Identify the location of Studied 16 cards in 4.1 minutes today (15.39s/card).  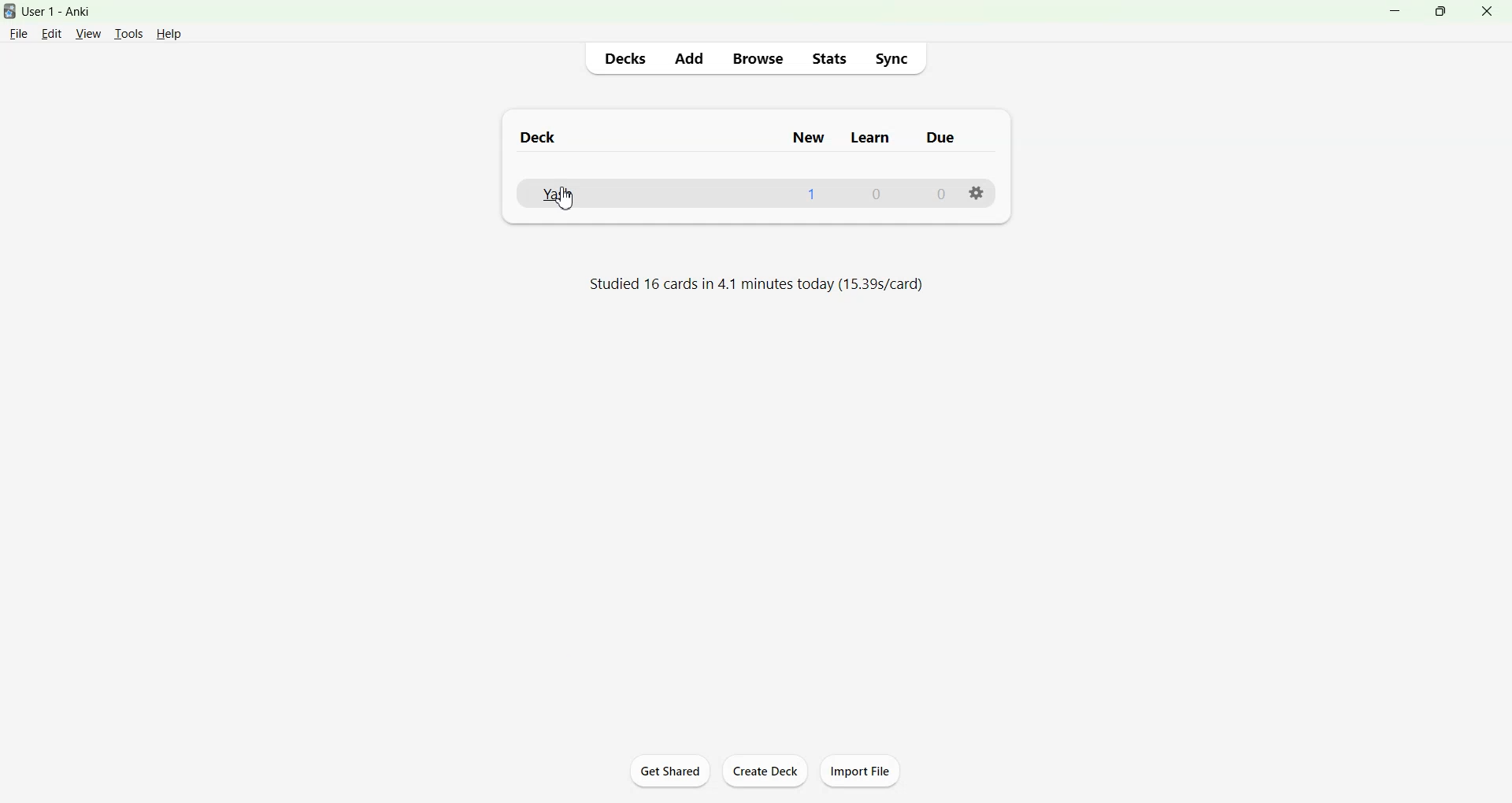
(758, 285).